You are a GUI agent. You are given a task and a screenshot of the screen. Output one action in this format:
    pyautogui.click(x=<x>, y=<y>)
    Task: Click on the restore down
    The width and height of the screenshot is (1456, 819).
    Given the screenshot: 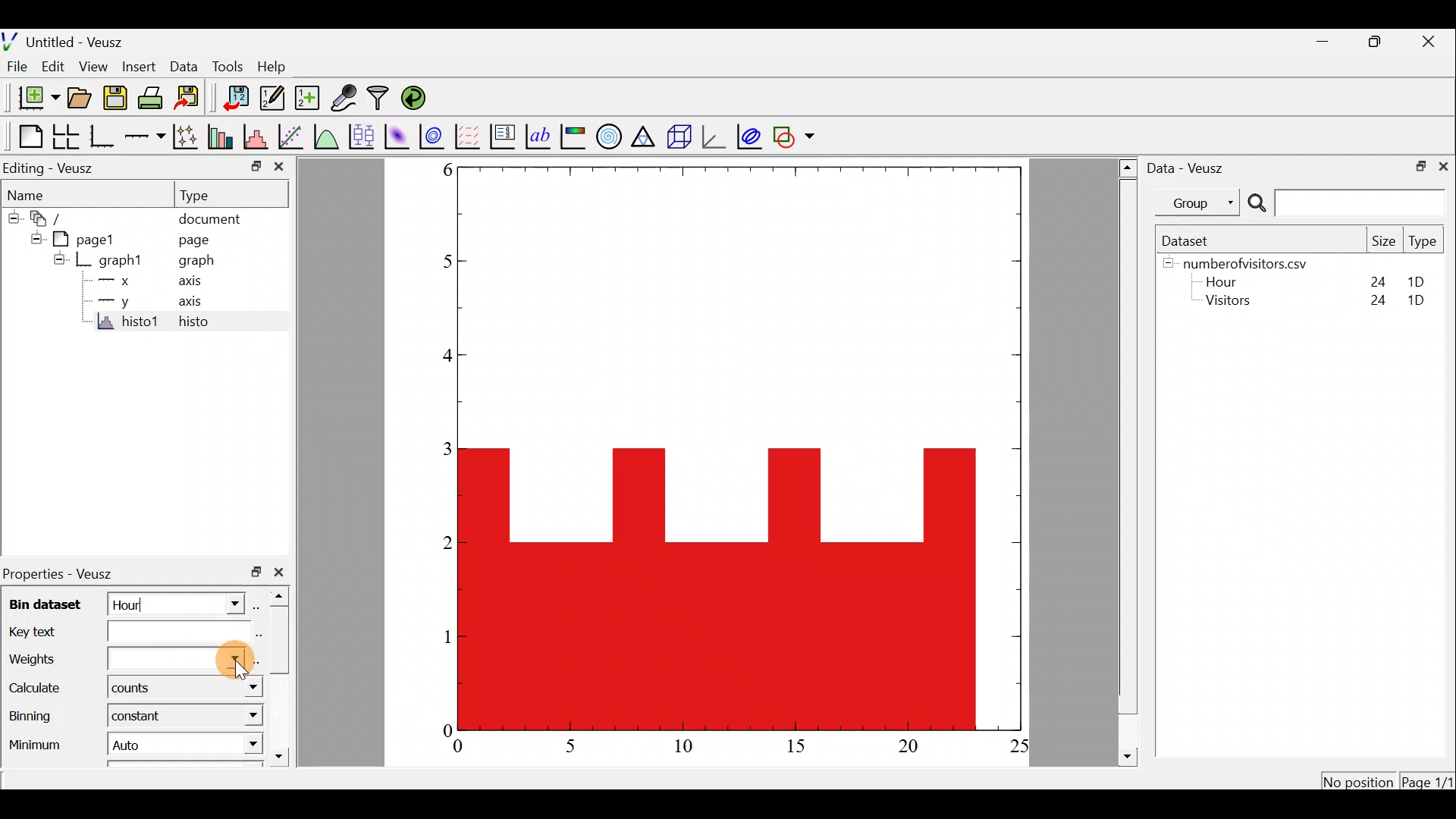 What is the action you would take?
    pyautogui.click(x=1379, y=44)
    